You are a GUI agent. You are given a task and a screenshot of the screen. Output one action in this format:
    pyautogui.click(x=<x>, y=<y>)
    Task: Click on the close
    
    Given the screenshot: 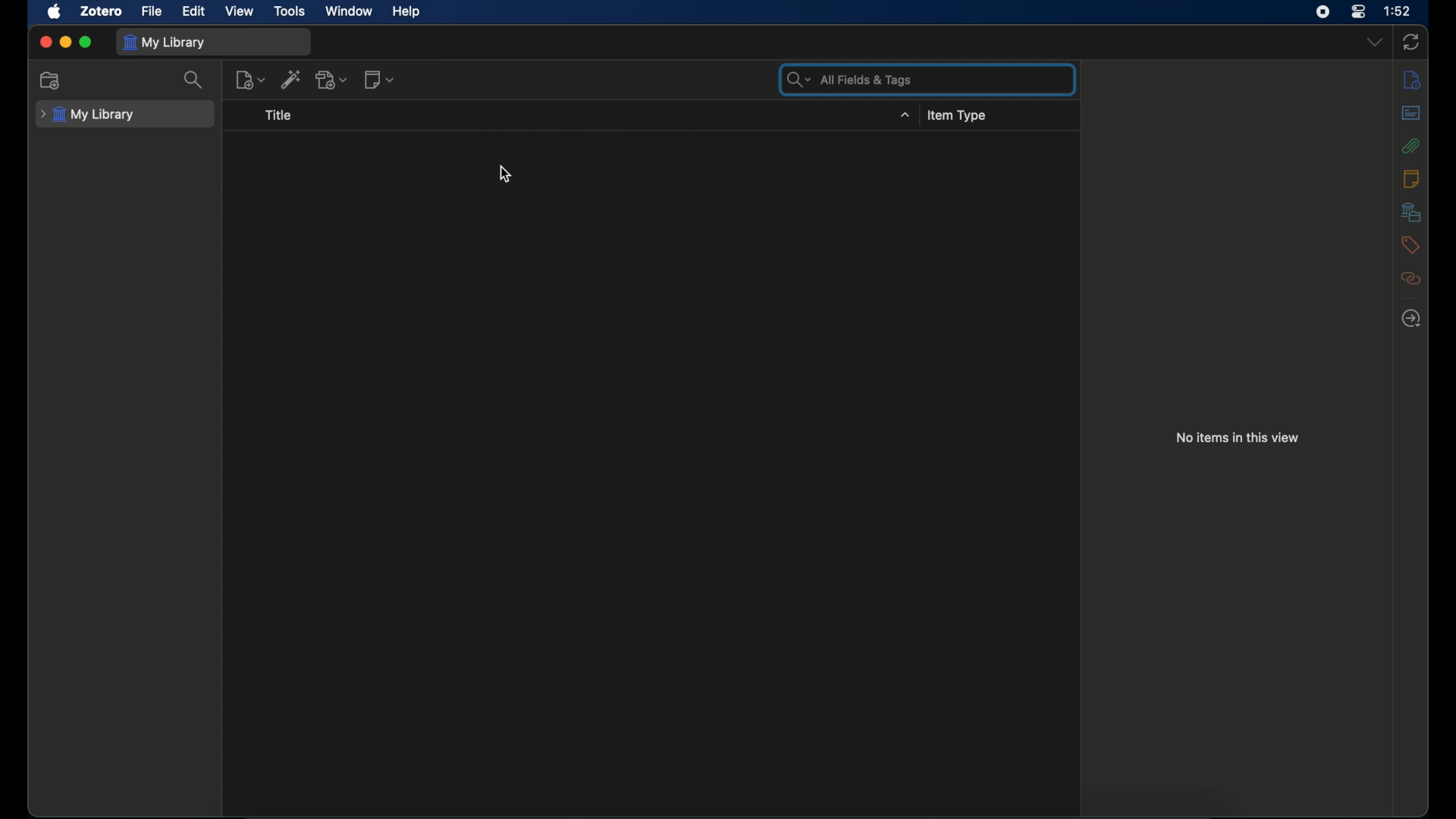 What is the action you would take?
    pyautogui.click(x=45, y=43)
    